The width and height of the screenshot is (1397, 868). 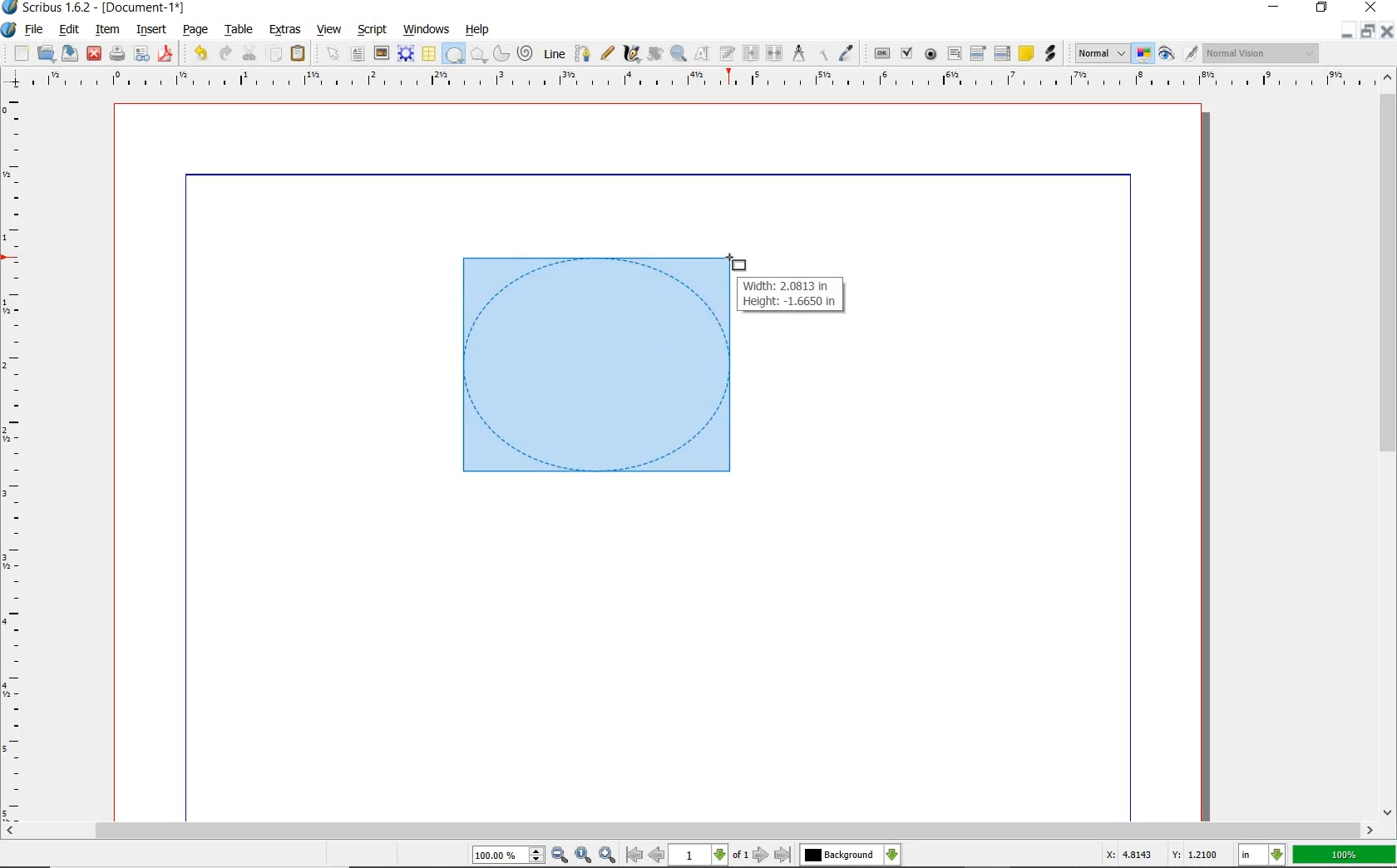 What do you see at coordinates (608, 52) in the screenshot?
I see `FREEHAND LINE` at bounding box center [608, 52].